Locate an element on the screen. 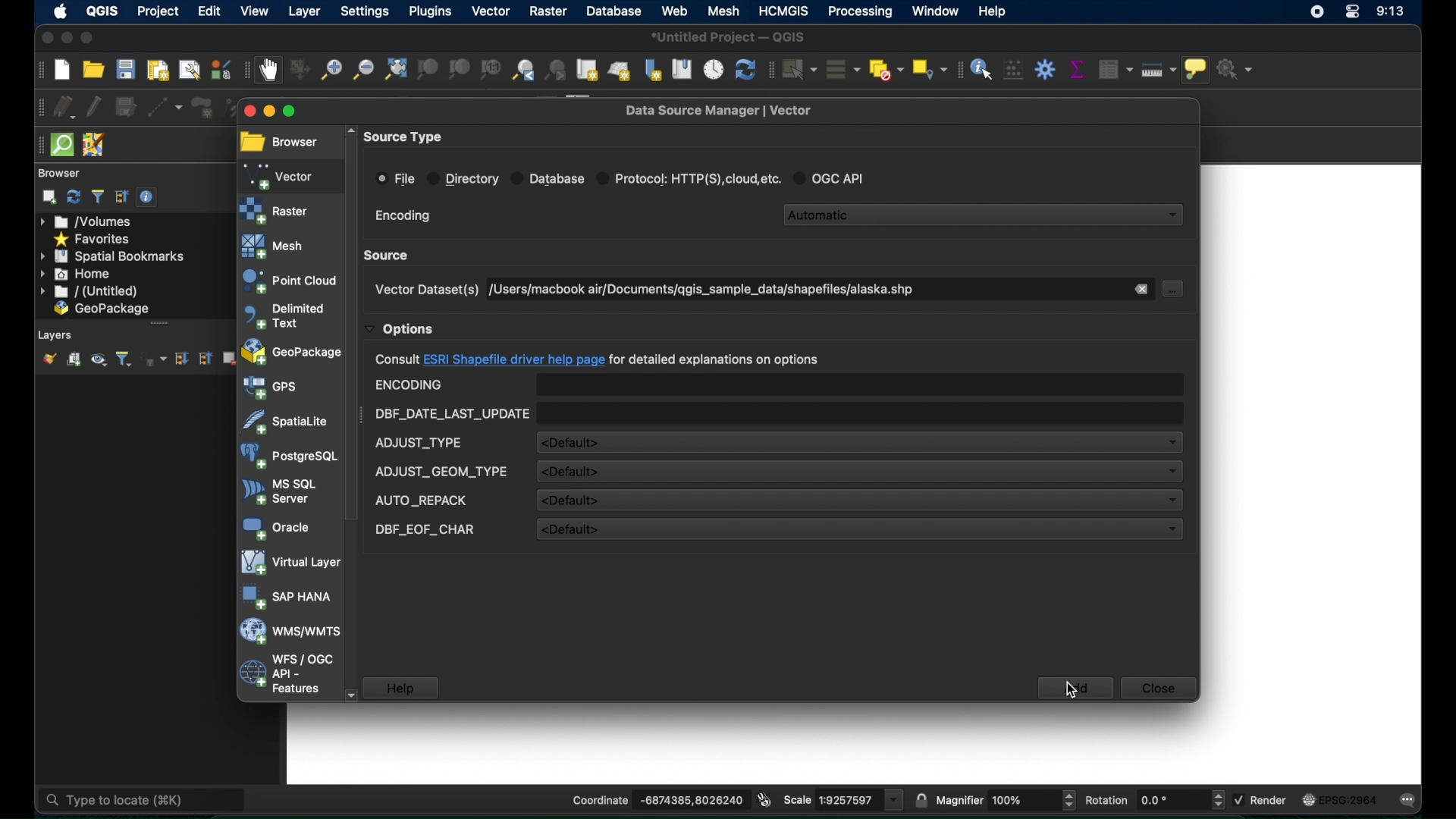 Image resolution: width=1456 pixels, height=819 pixels. settings is located at coordinates (363, 11).